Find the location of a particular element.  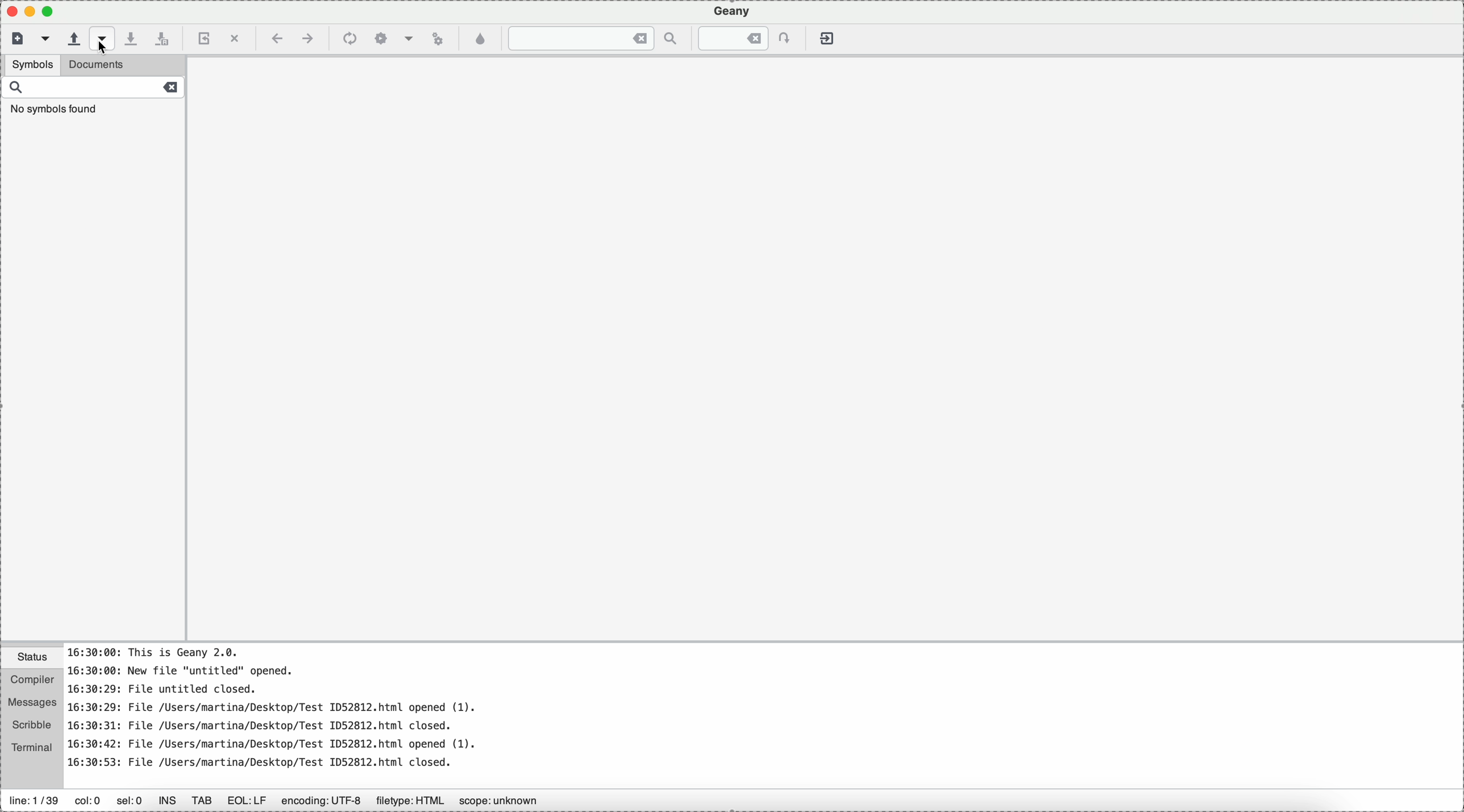

compile the current file is located at coordinates (350, 38).